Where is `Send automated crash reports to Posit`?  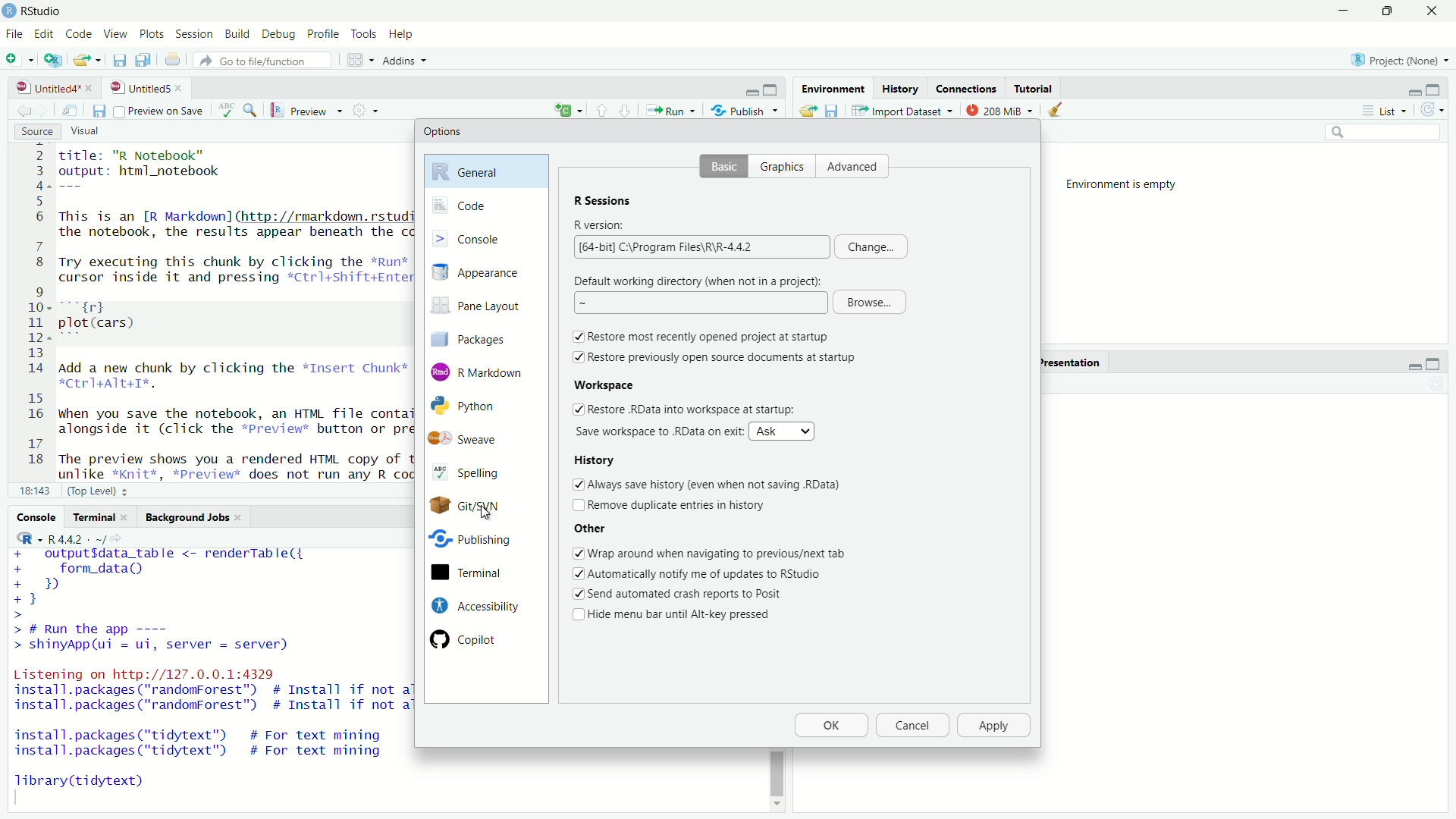 Send automated crash reports to Posit is located at coordinates (686, 595).